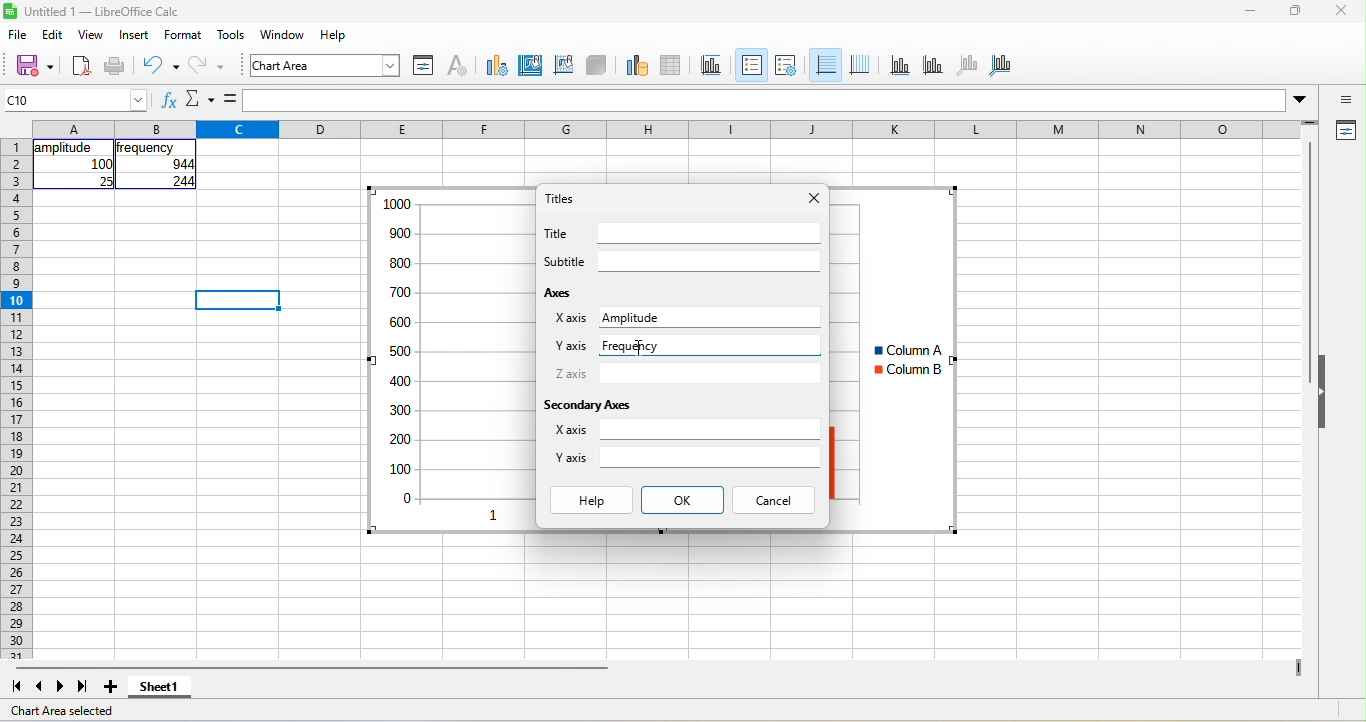 The height and width of the screenshot is (722, 1366). What do you see at coordinates (334, 34) in the screenshot?
I see `help` at bounding box center [334, 34].